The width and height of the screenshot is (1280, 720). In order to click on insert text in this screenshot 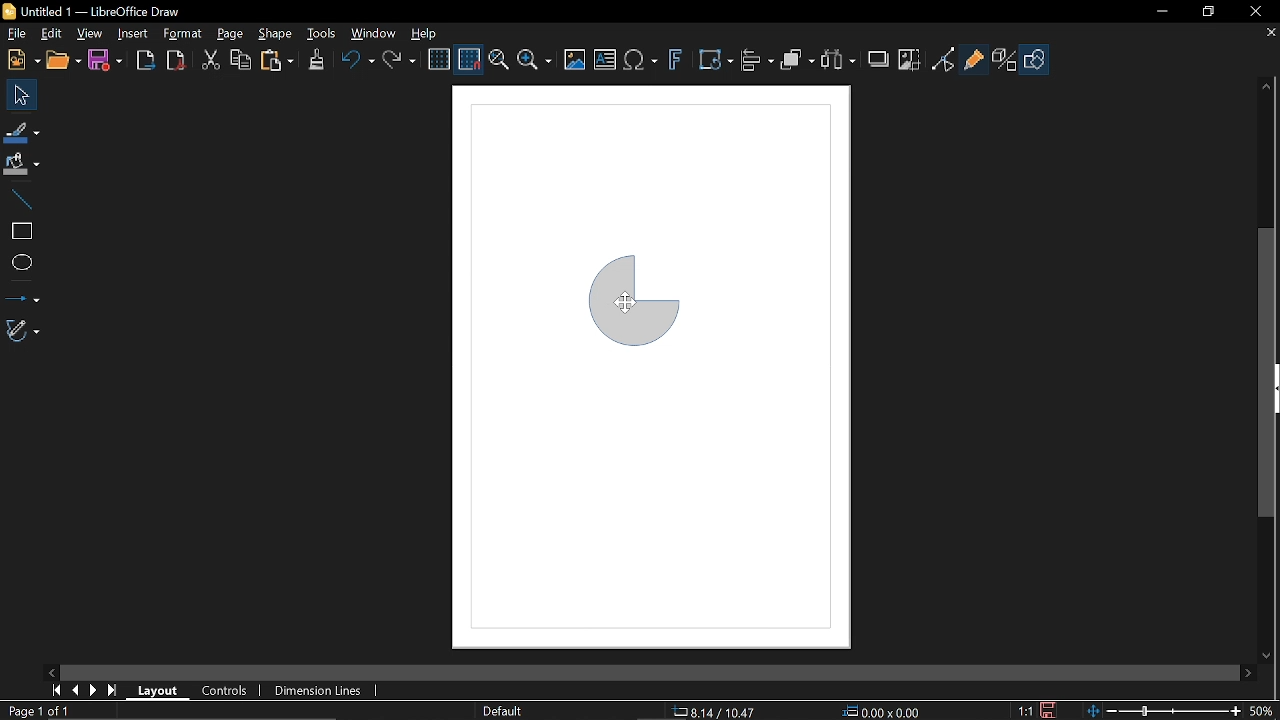, I will do `click(606, 59)`.